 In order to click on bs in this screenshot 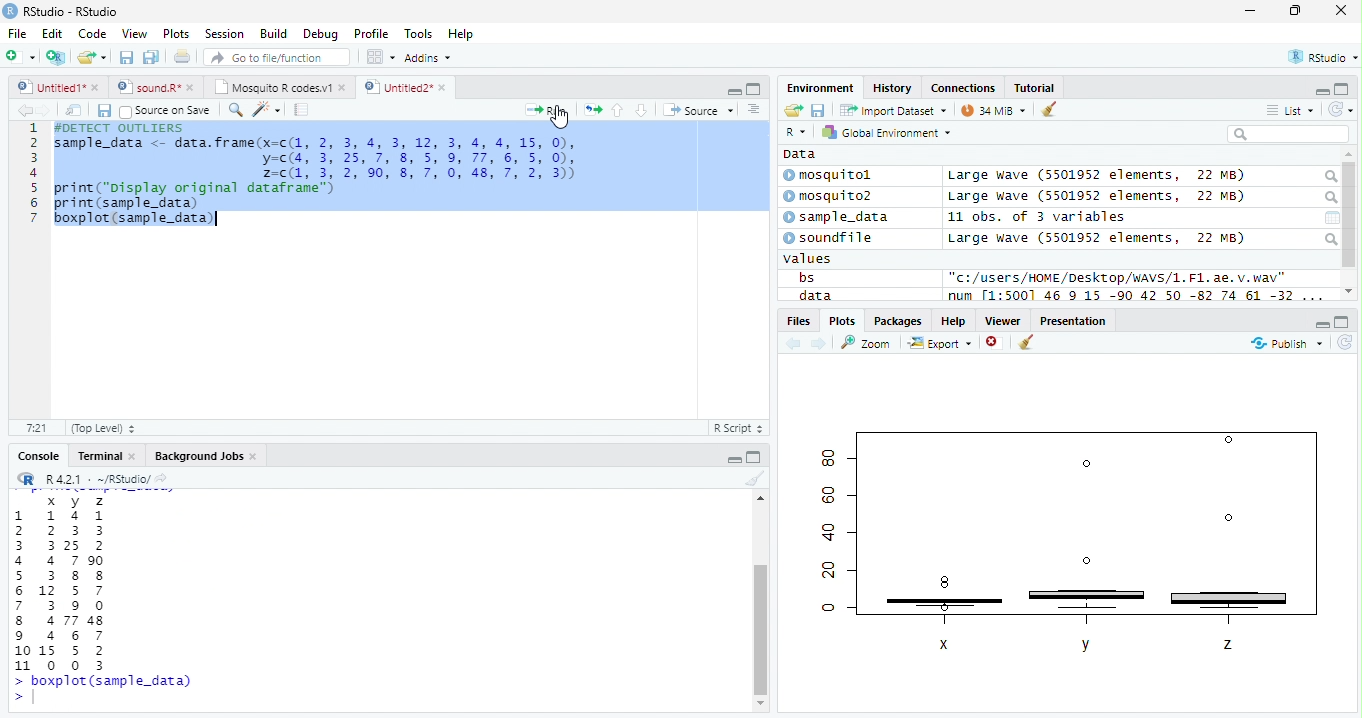, I will do `click(806, 277)`.